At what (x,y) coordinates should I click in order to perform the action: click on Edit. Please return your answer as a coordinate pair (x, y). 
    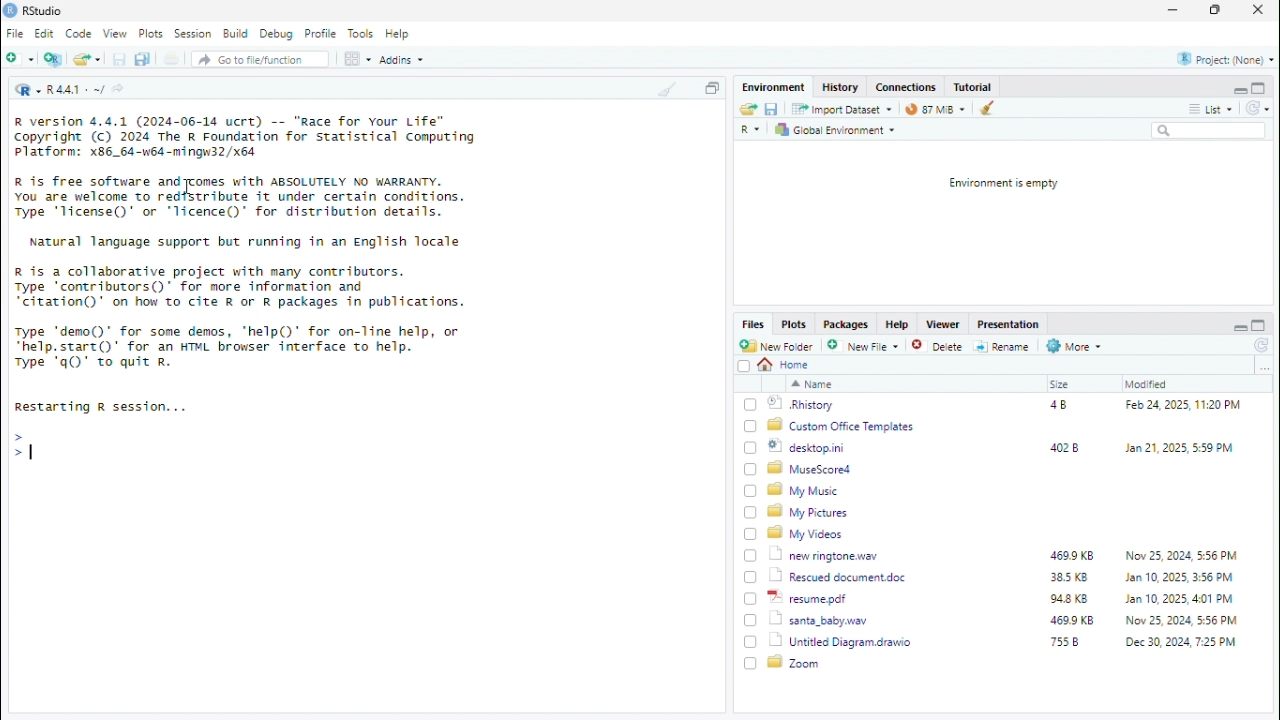
    Looking at the image, I should click on (45, 33).